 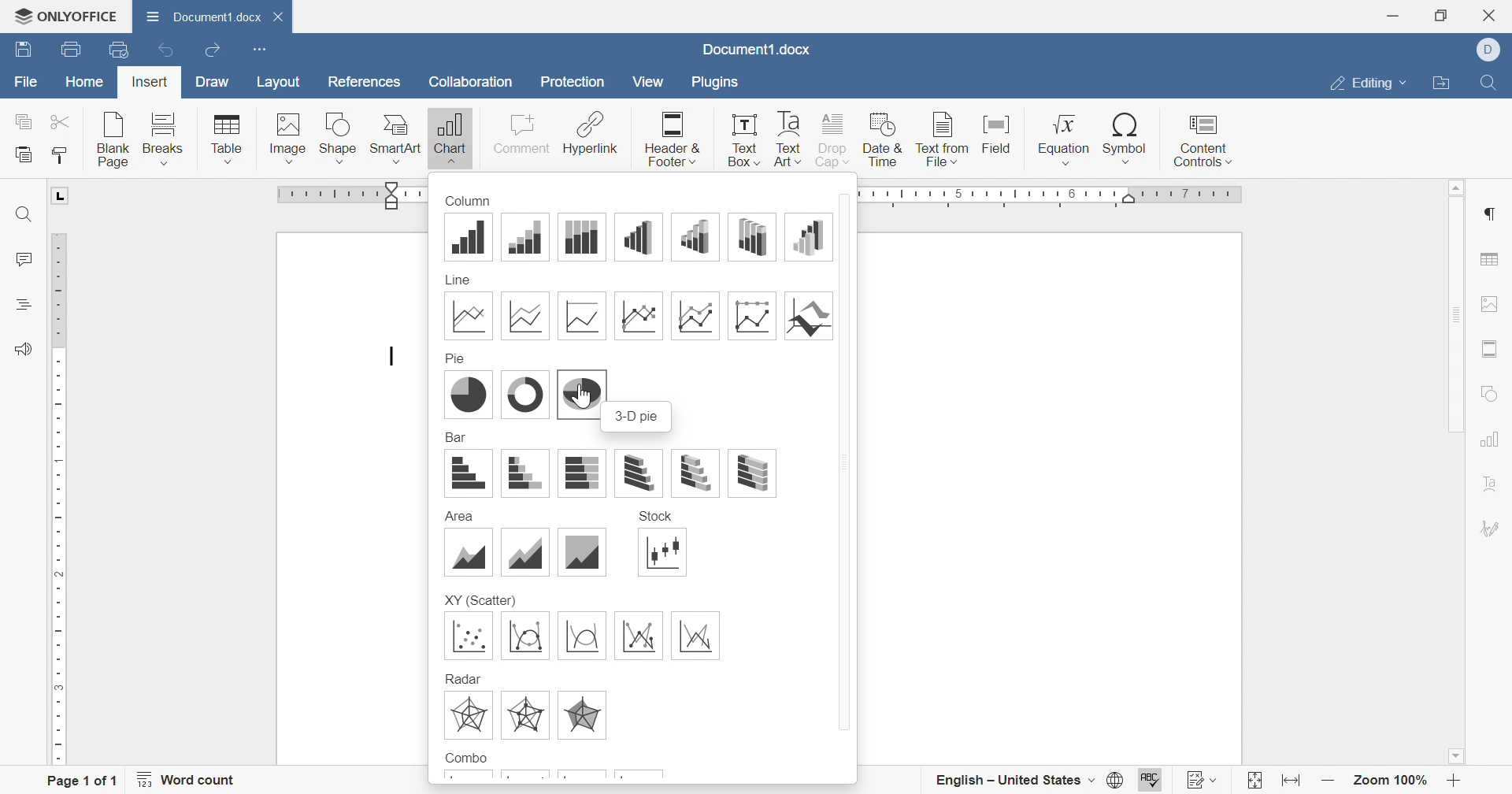 I want to click on Text from File, so click(x=939, y=136).